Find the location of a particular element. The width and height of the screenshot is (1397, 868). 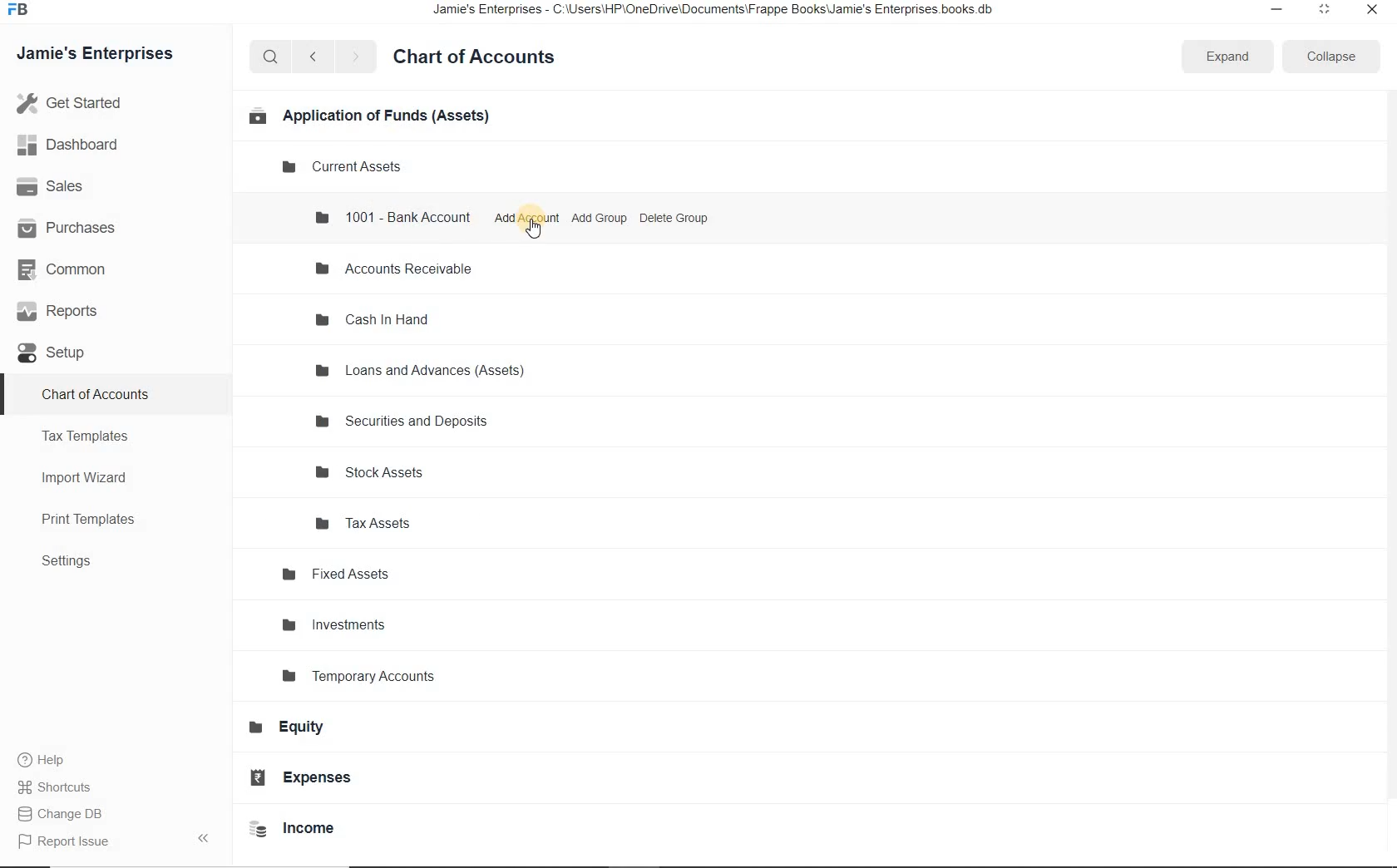

Dashboard is located at coordinates (86, 146).